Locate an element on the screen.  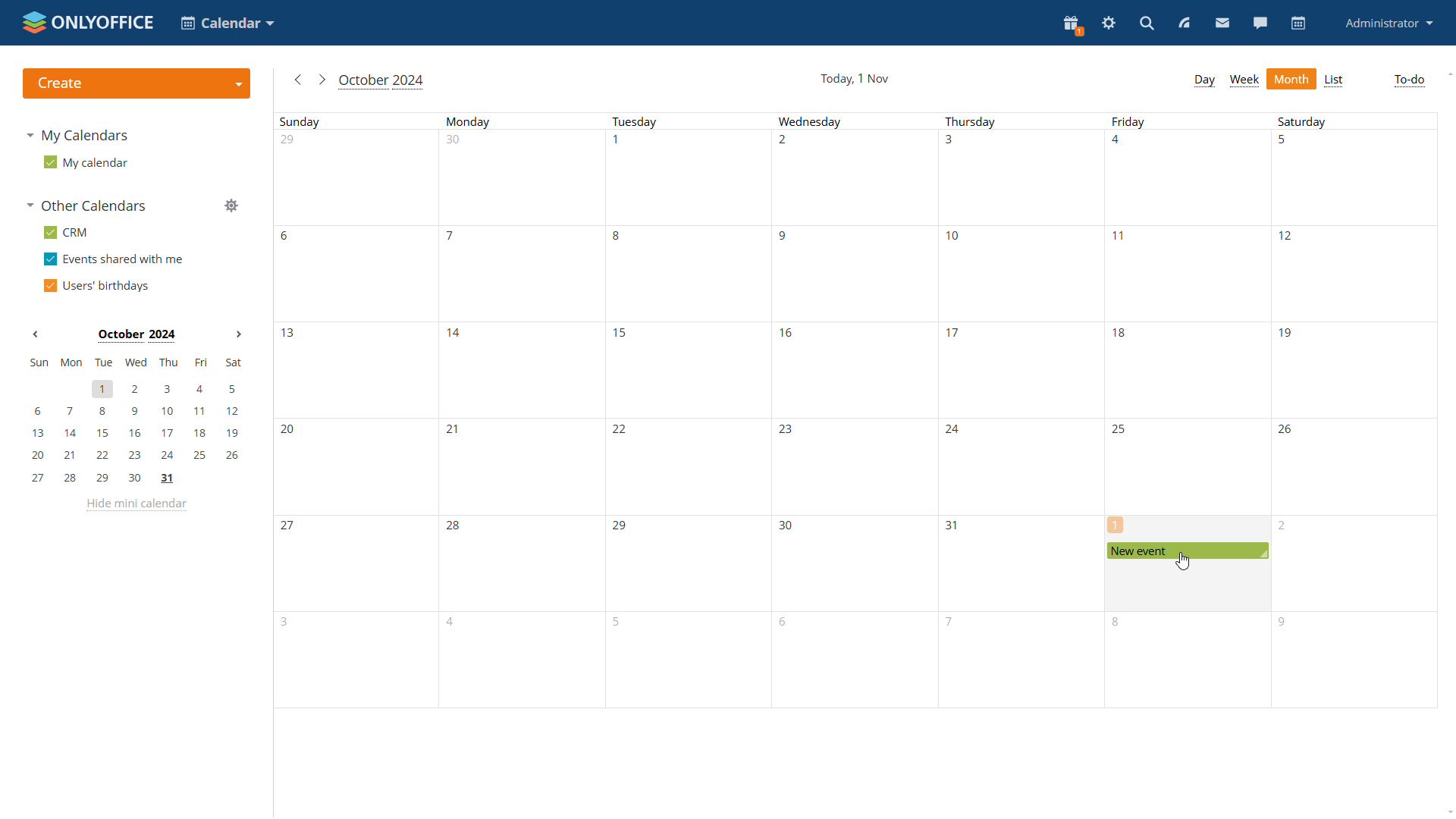
users' birthdays is located at coordinates (100, 285).